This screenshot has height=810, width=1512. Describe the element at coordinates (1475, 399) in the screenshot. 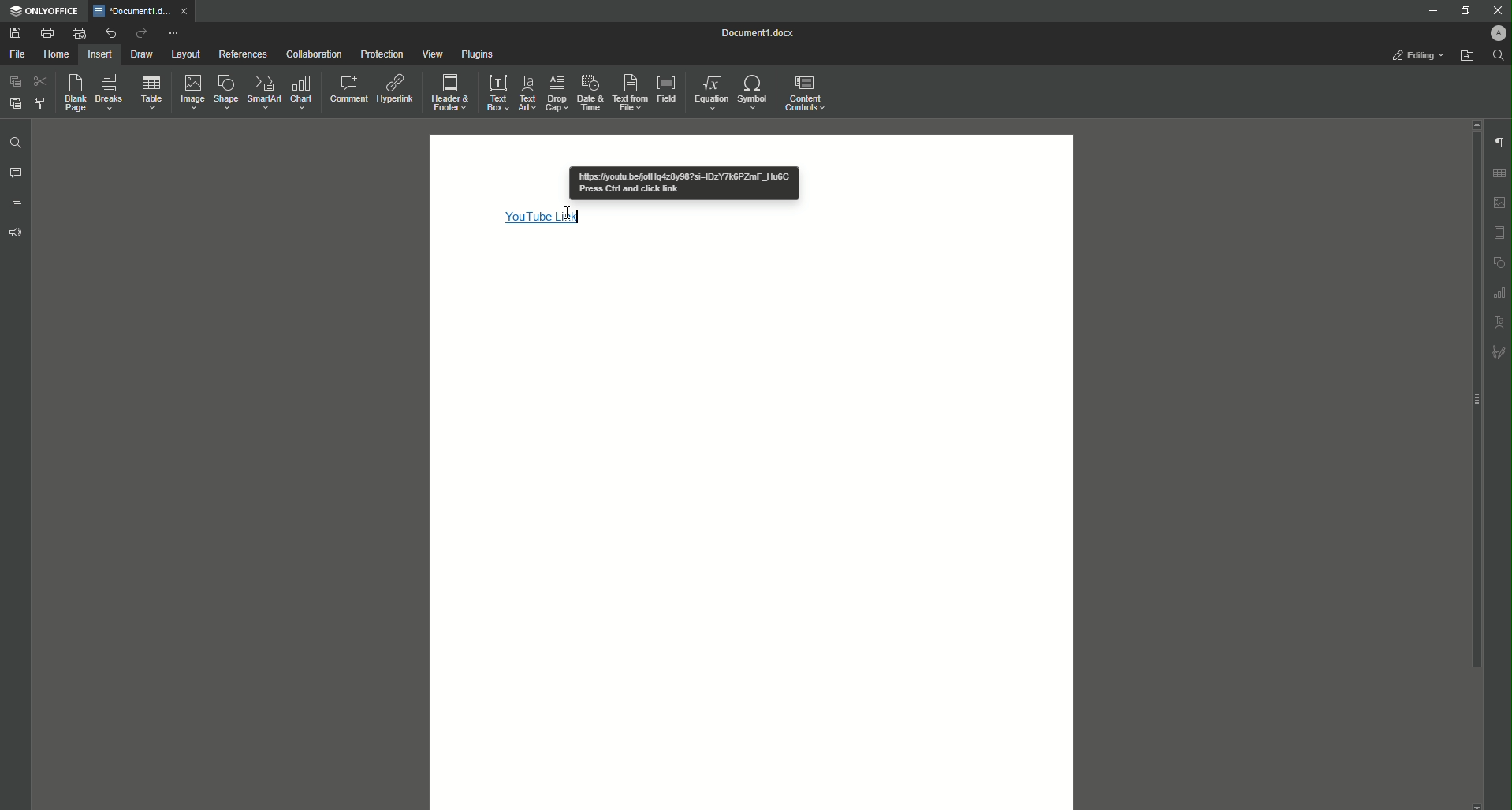

I see `scroll bar` at that location.